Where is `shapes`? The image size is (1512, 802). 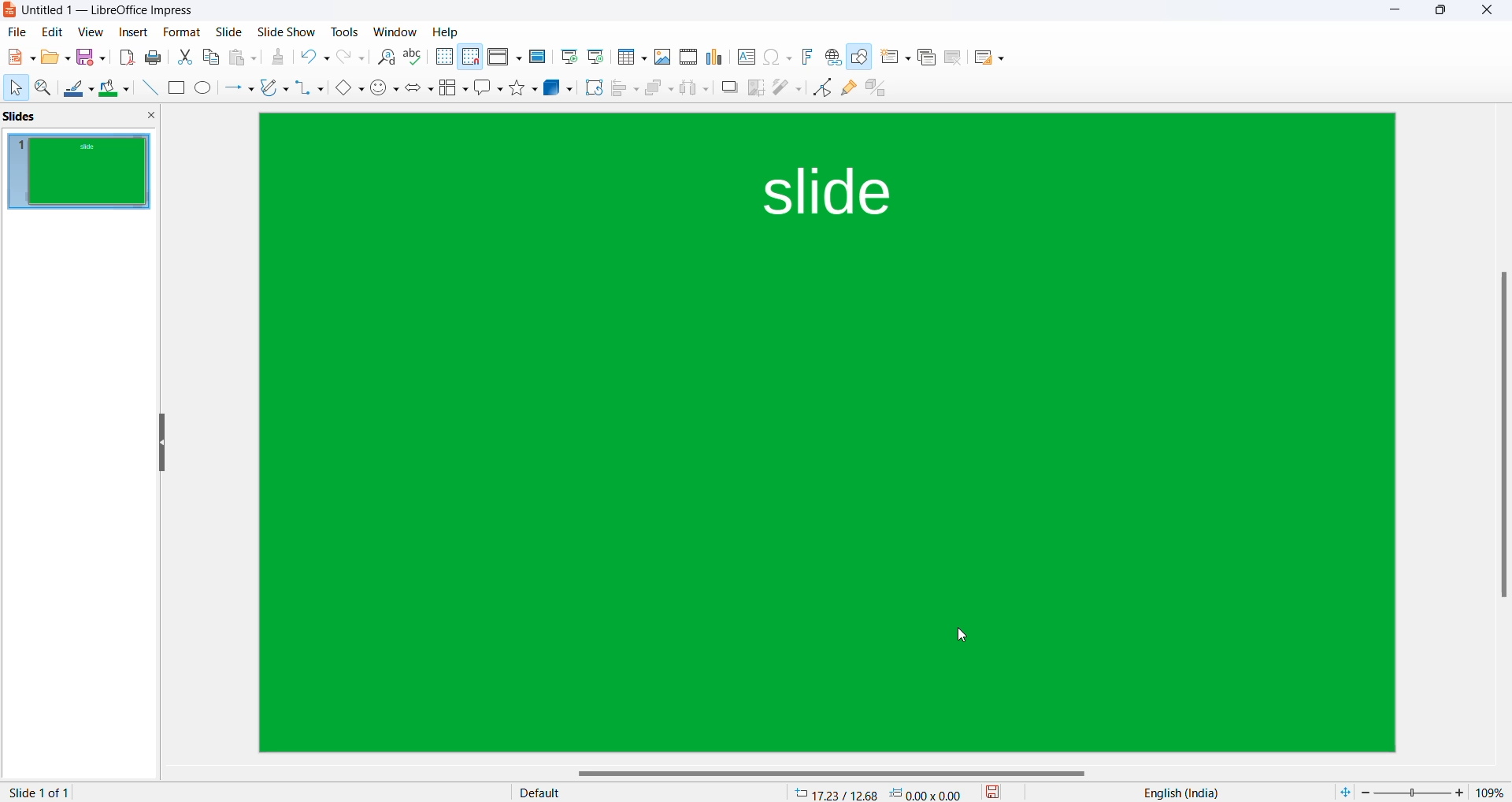 shapes is located at coordinates (525, 87).